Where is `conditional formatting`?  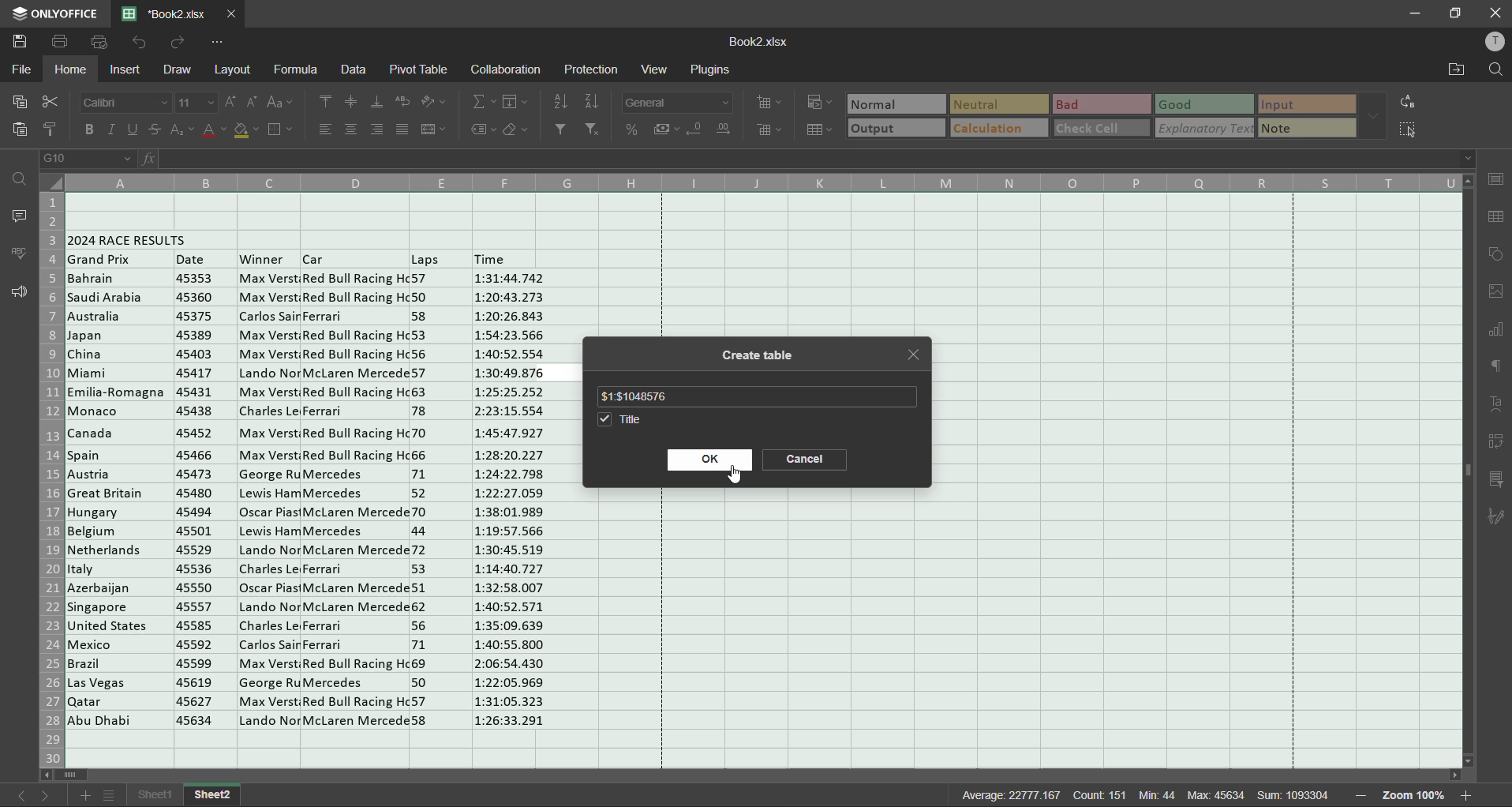
conditional formatting is located at coordinates (818, 100).